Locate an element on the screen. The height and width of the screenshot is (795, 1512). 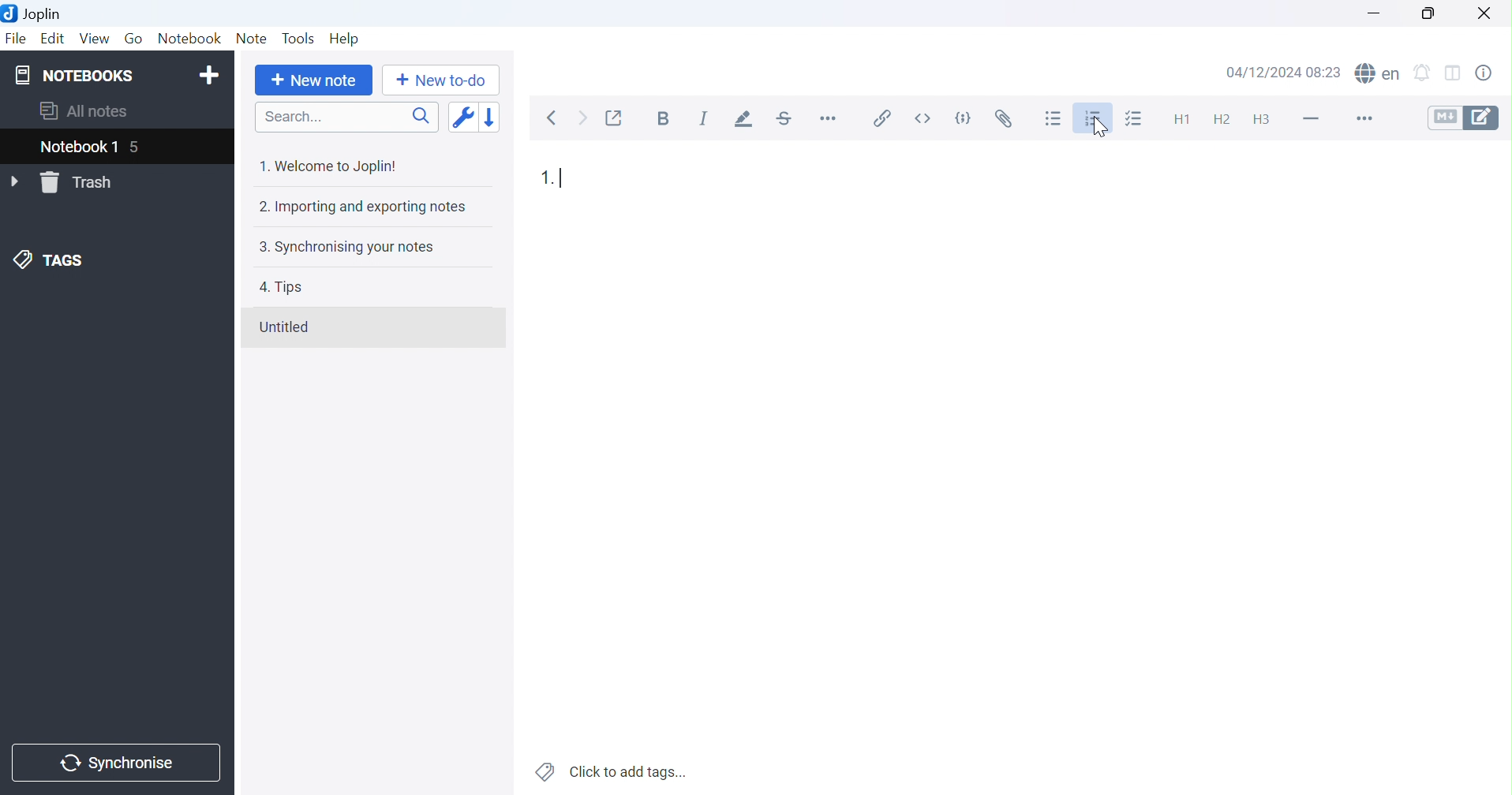
Highlight is located at coordinates (745, 120).